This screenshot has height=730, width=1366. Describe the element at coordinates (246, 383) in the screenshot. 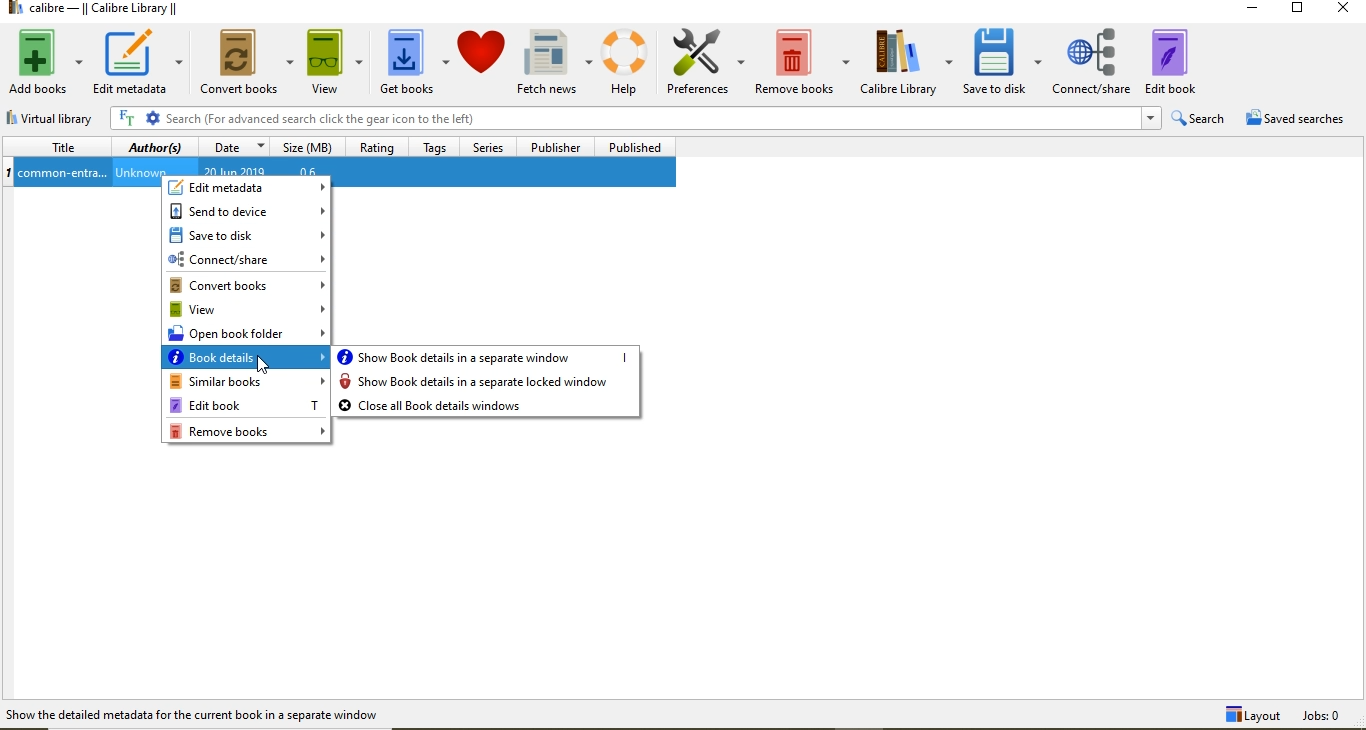

I see `similar books` at that location.